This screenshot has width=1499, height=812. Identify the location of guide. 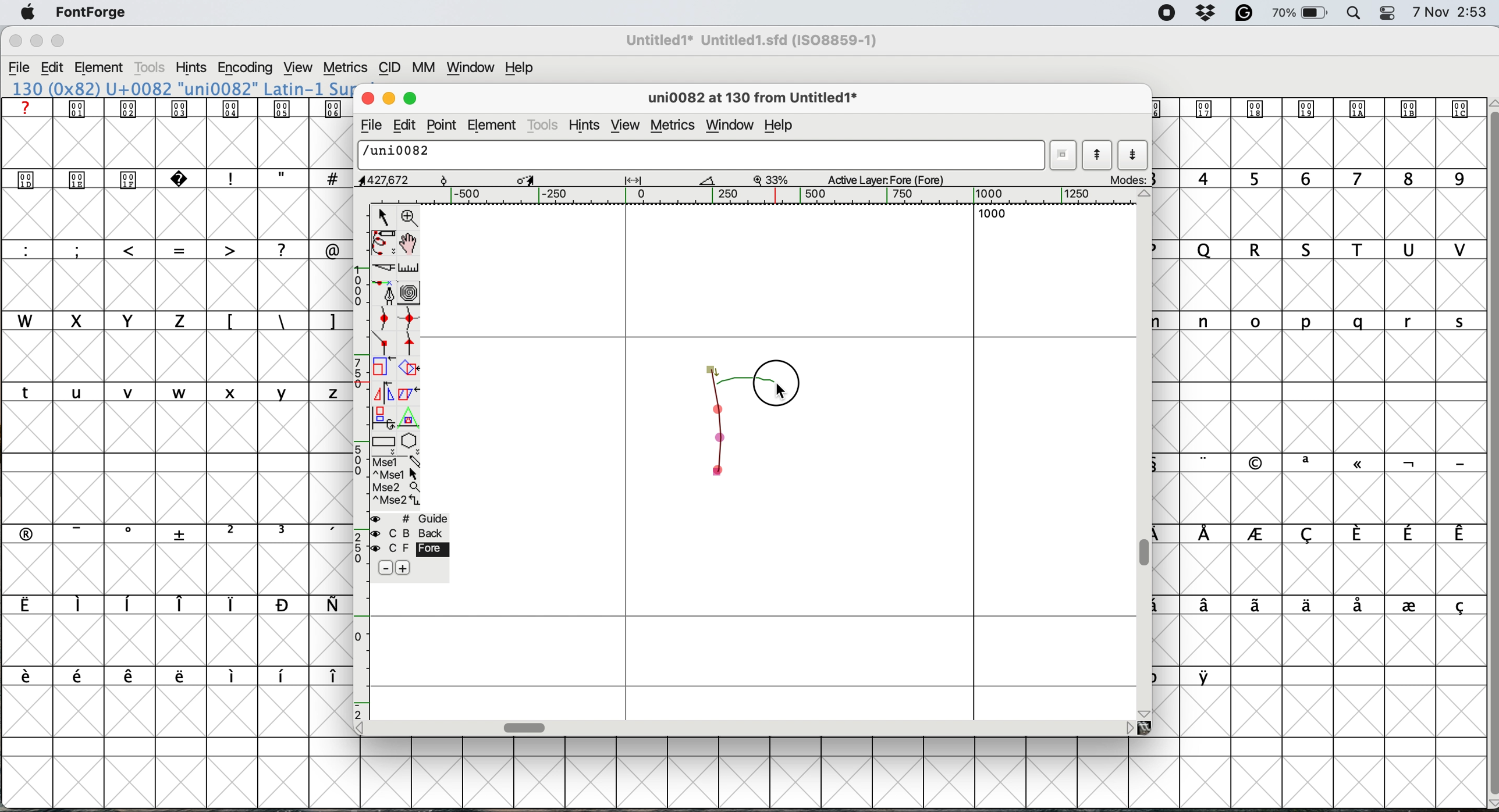
(413, 518).